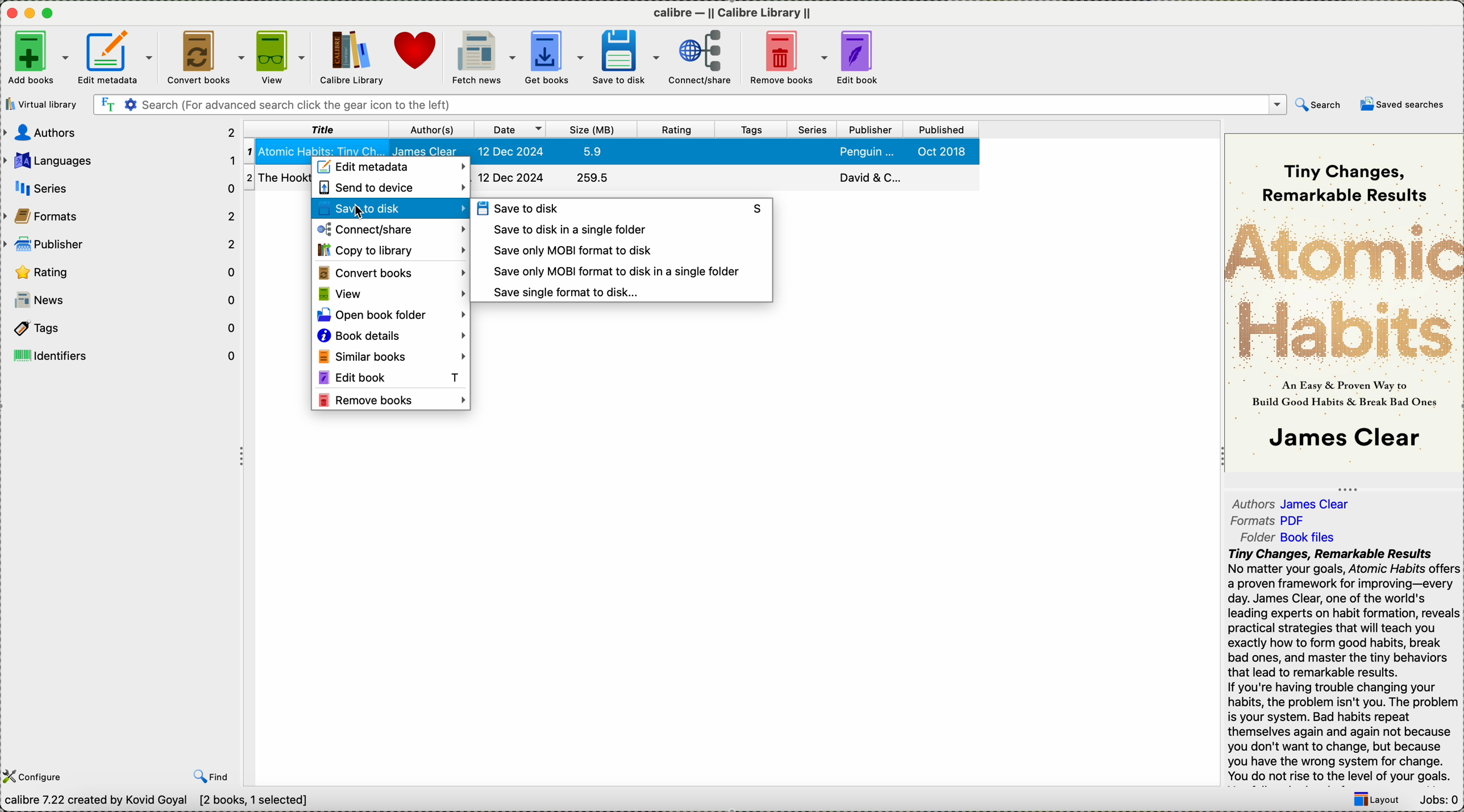 This screenshot has height=812, width=1464. Describe the element at coordinates (390, 357) in the screenshot. I see `similar books` at that location.